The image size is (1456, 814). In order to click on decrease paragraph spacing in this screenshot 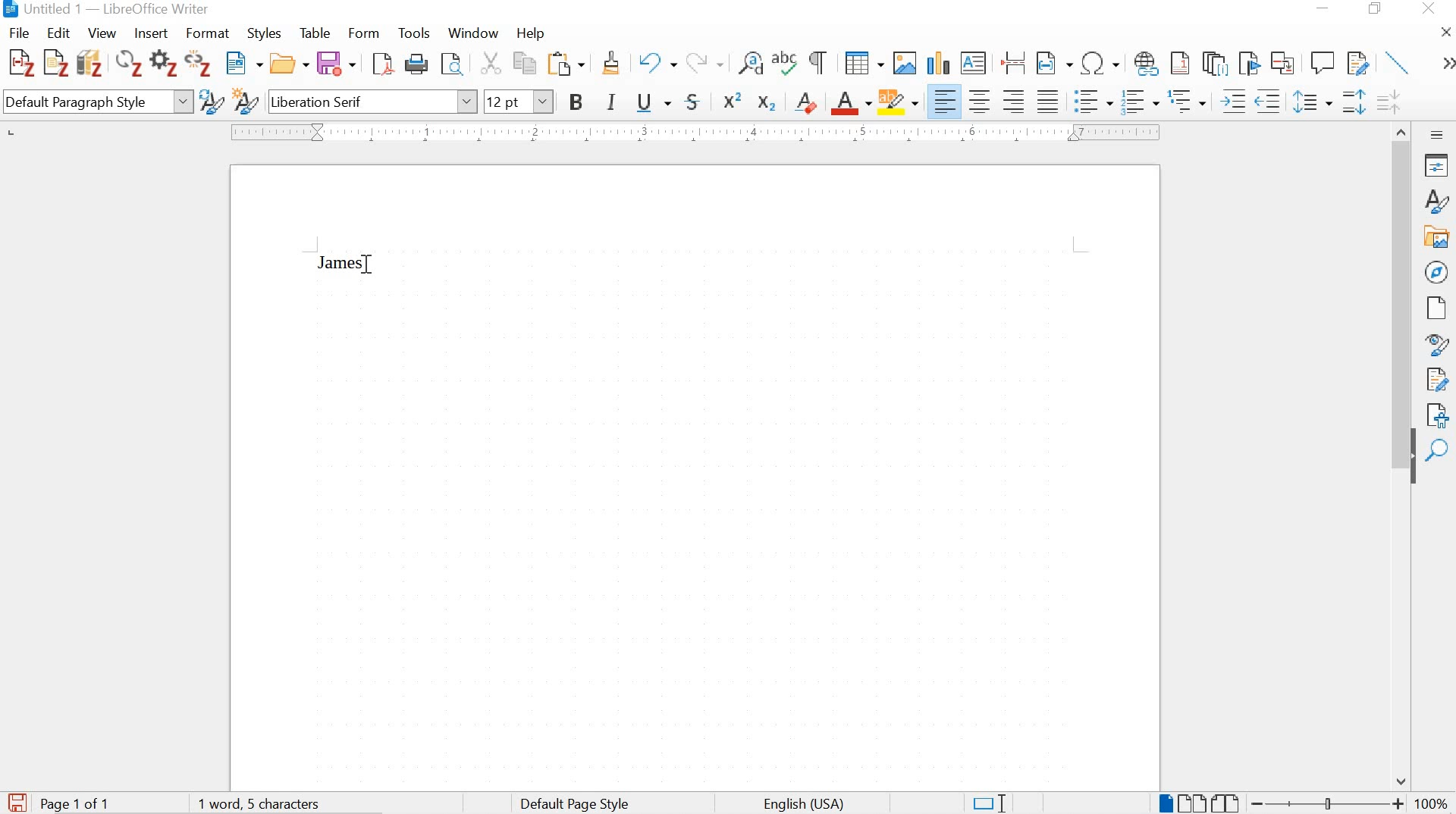, I will do `click(1388, 104)`.